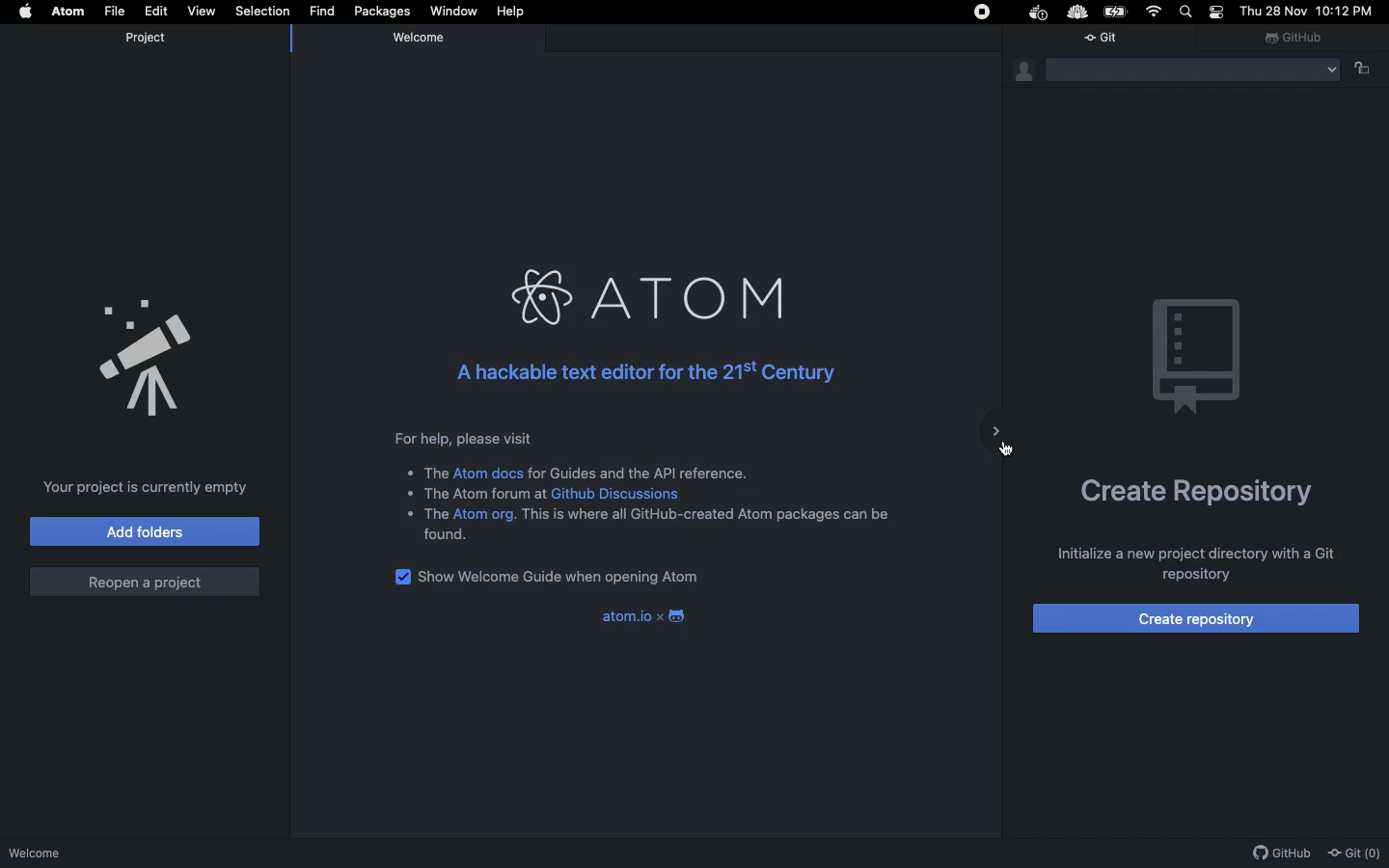  What do you see at coordinates (399, 577) in the screenshot?
I see `checkbox` at bounding box center [399, 577].